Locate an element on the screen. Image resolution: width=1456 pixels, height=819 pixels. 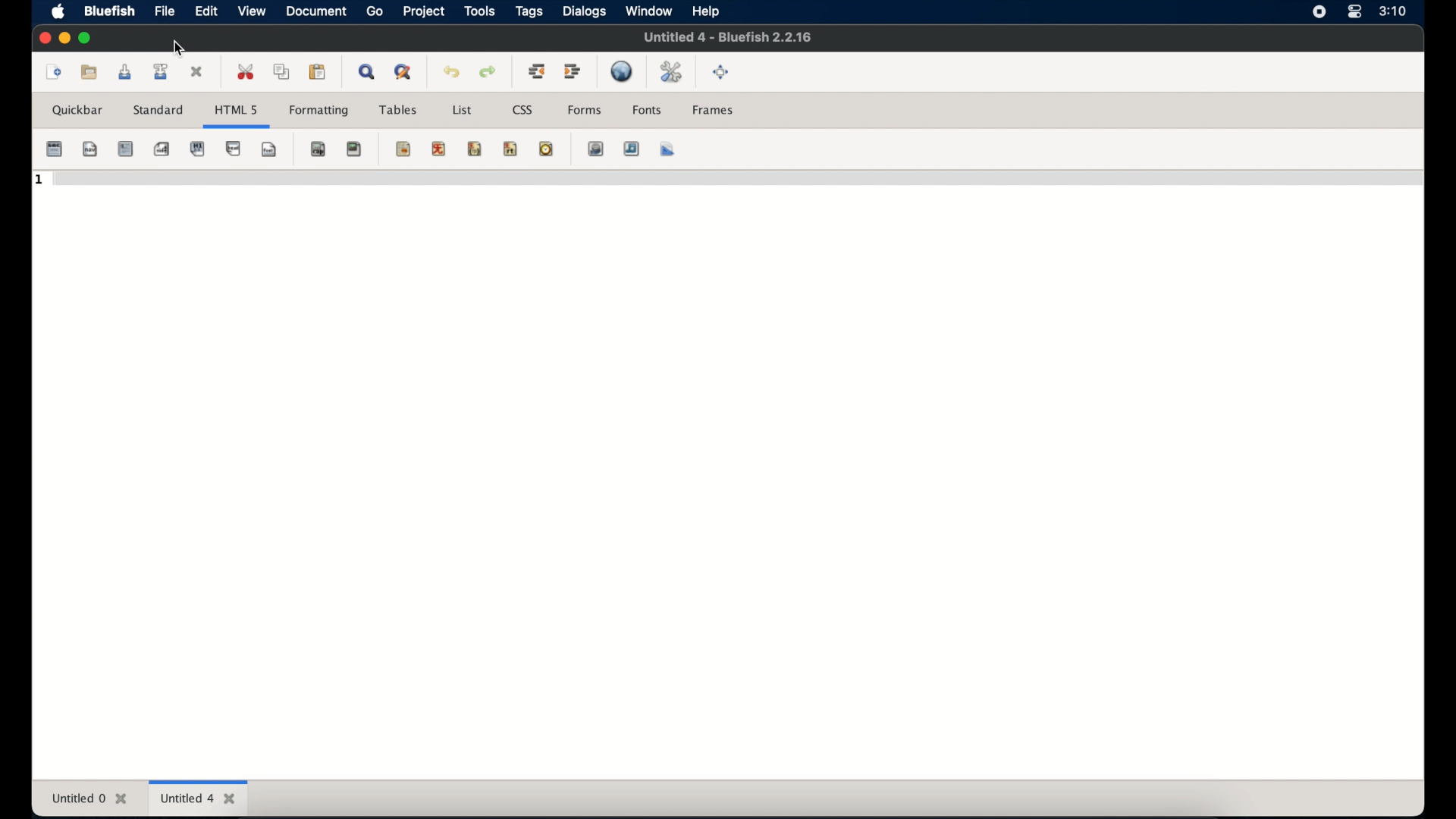
fonts is located at coordinates (648, 110).